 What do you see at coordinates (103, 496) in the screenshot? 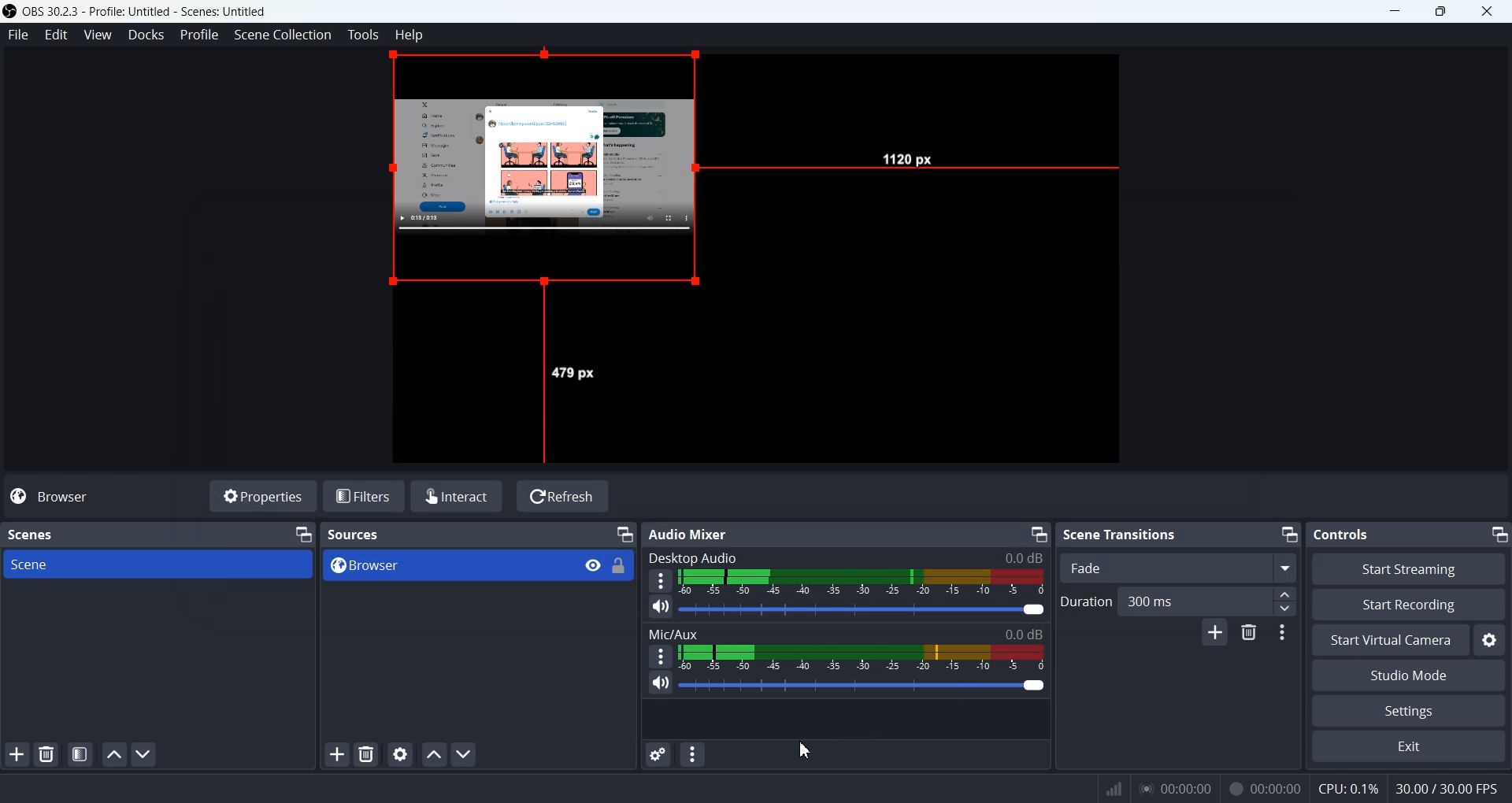
I see `Browser` at bounding box center [103, 496].